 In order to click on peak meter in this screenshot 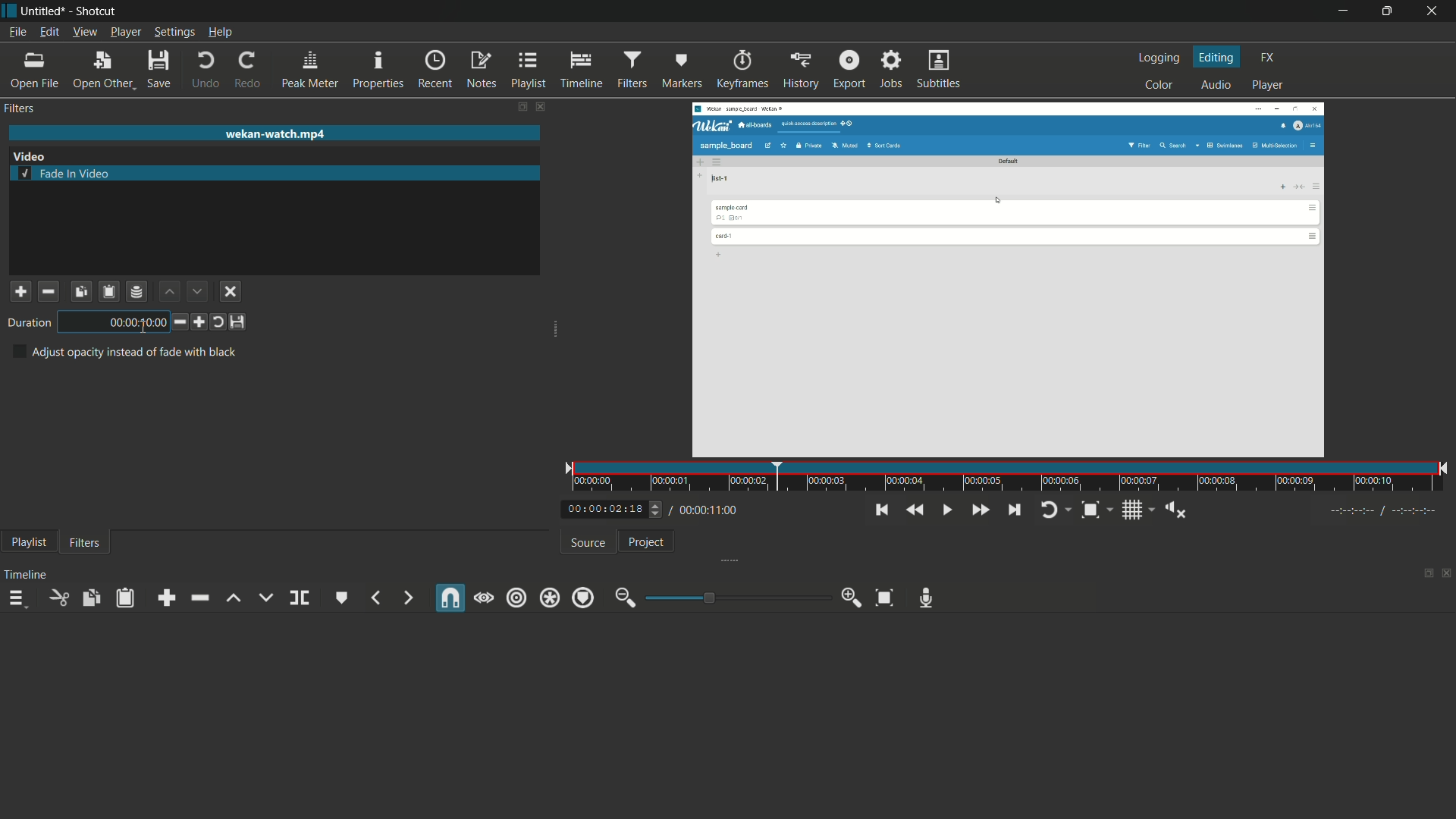, I will do `click(310, 68)`.